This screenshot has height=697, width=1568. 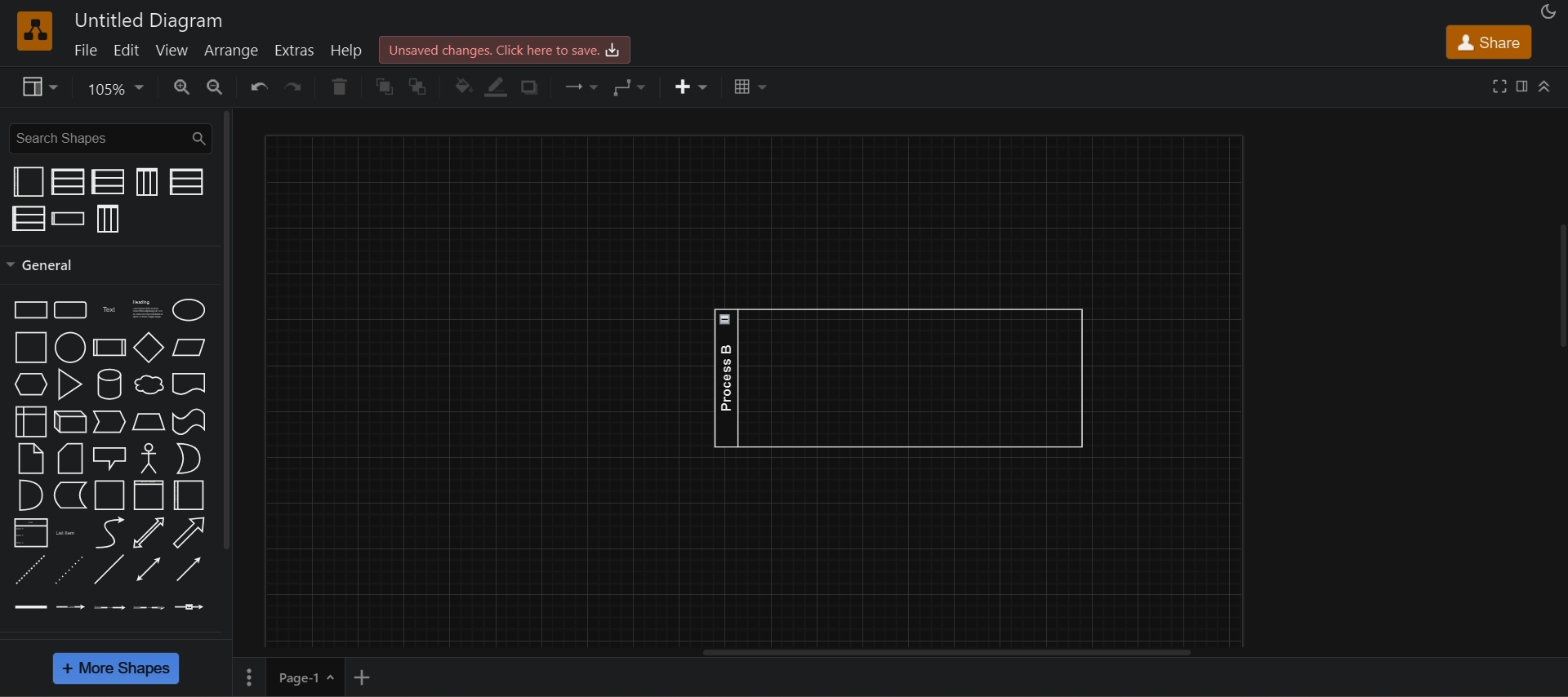 I want to click on ellipse, so click(x=189, y=309).